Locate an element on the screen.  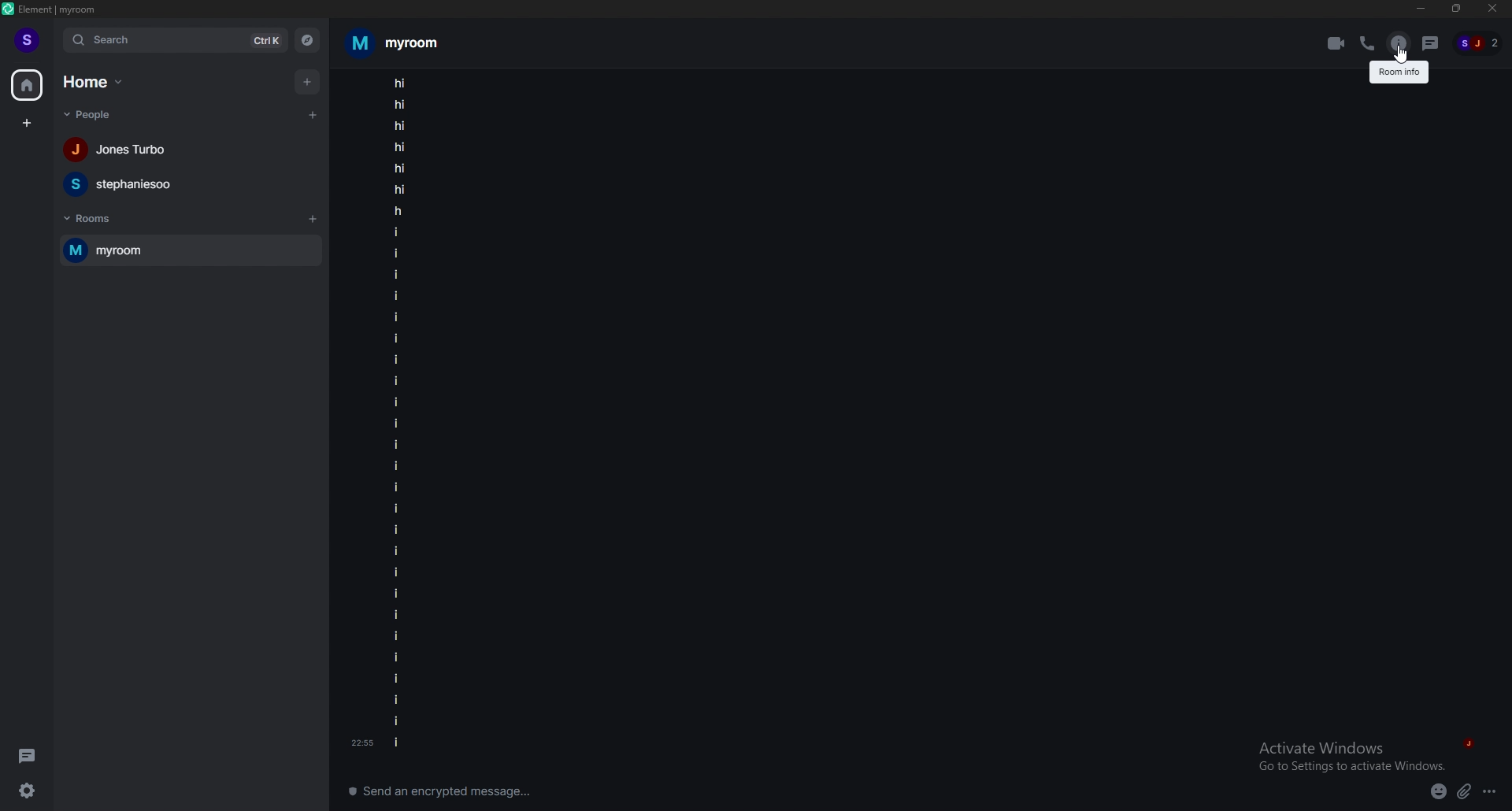
voice call is located at coordinates (1367, 43).